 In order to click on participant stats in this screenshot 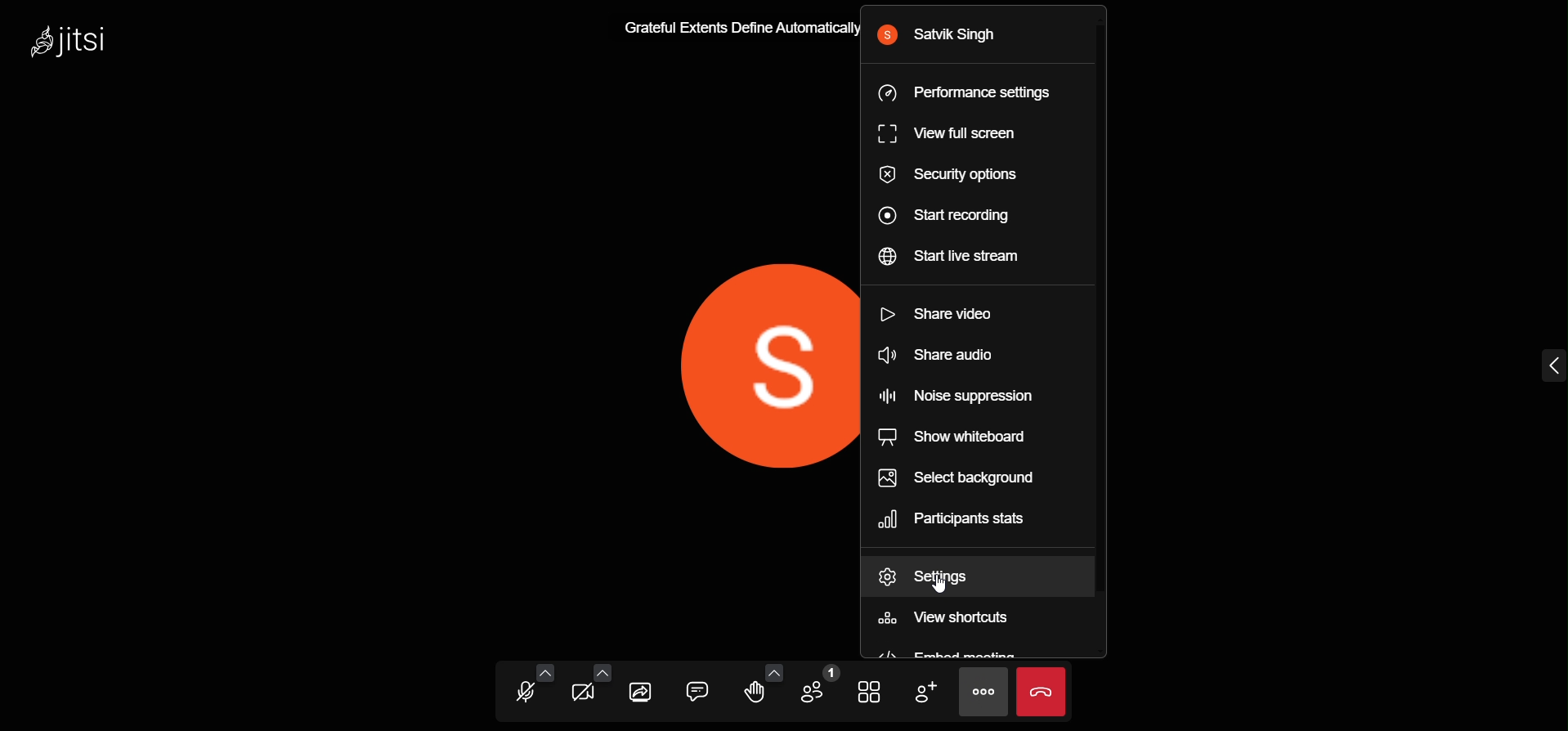, I will do `click(955, 521)`.